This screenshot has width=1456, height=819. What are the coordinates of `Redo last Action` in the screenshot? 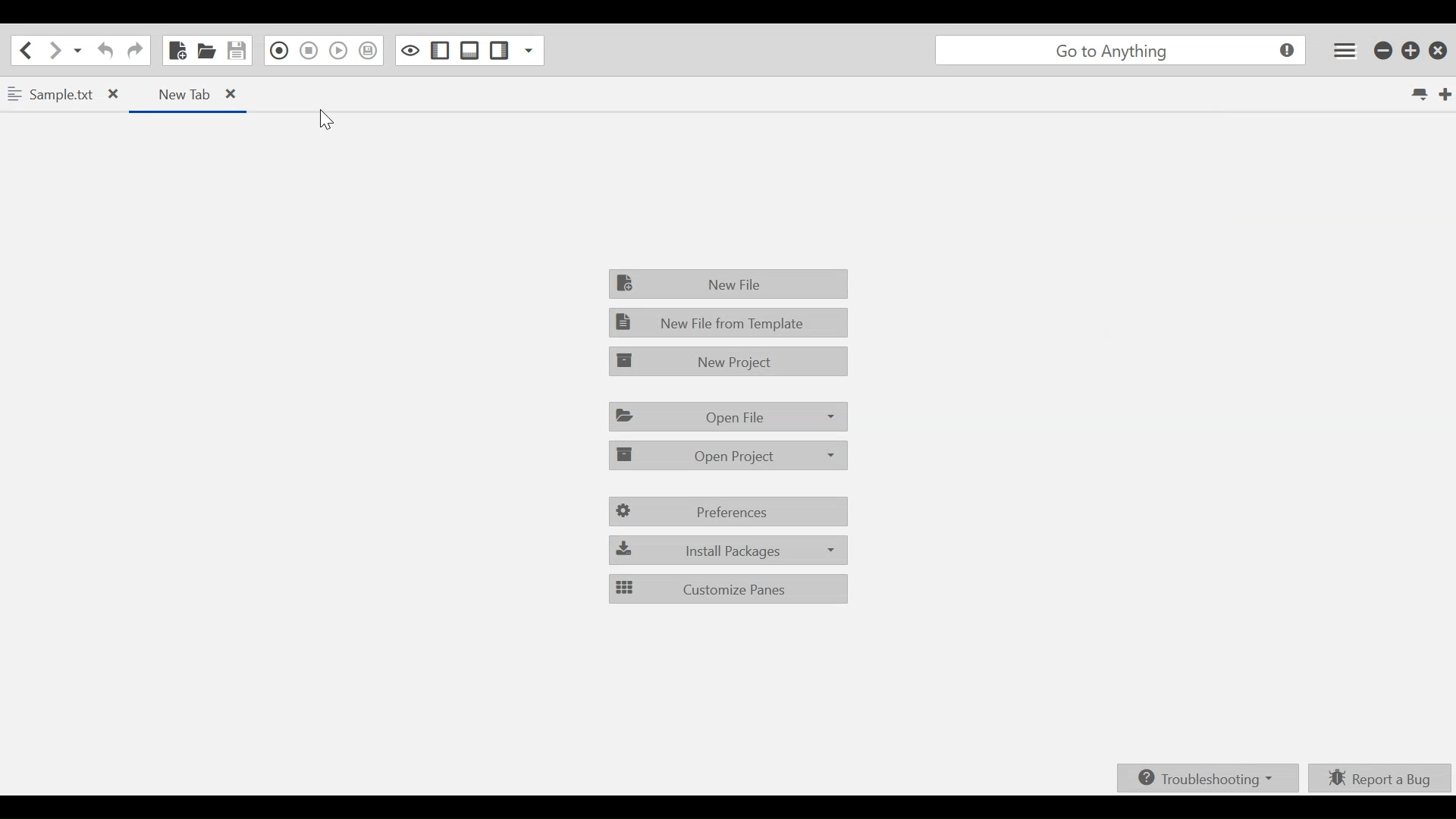 It's located at (135, 50).